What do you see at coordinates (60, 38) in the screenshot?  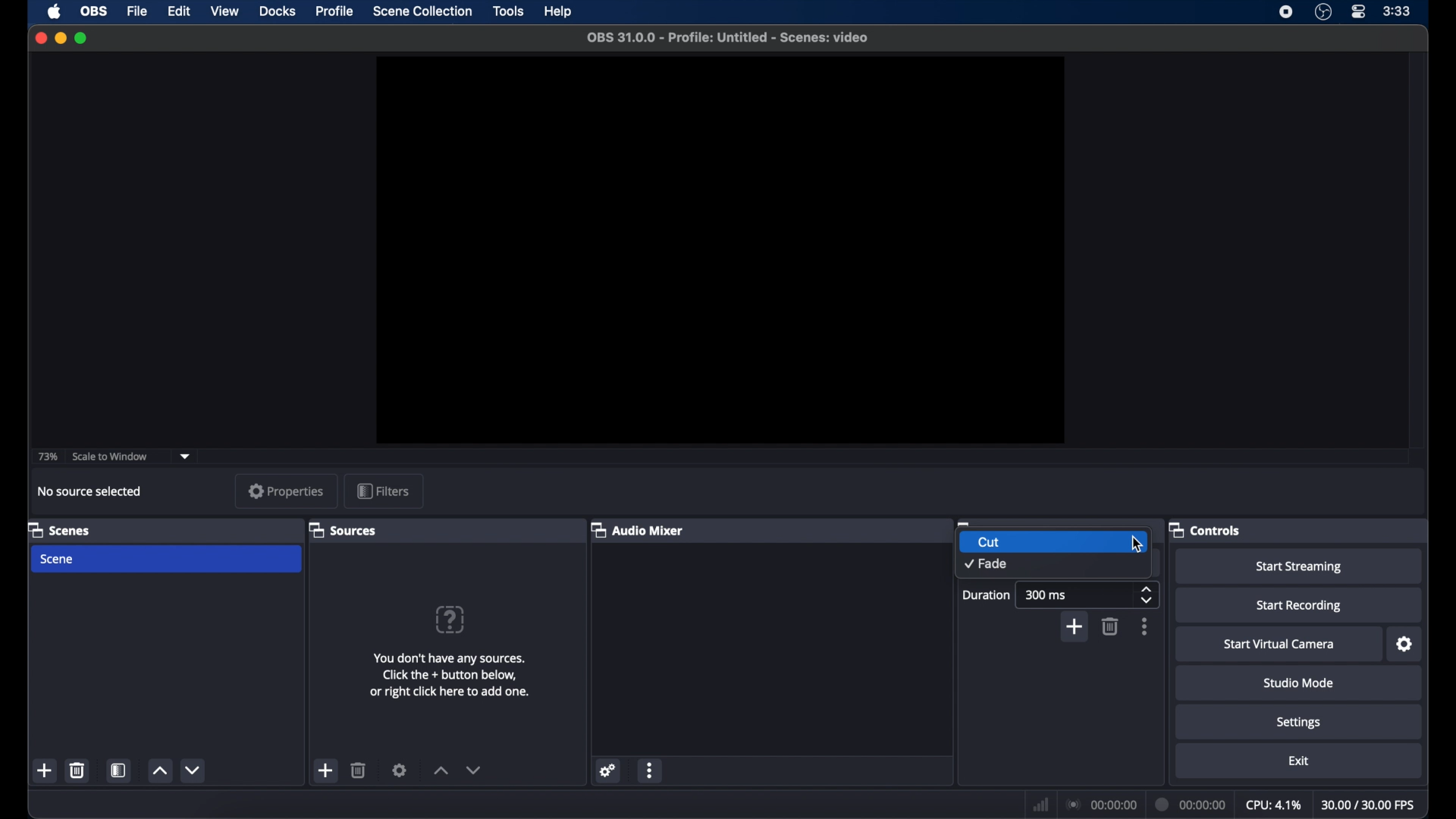 I see `minimize` at bounding box center [60, 38].